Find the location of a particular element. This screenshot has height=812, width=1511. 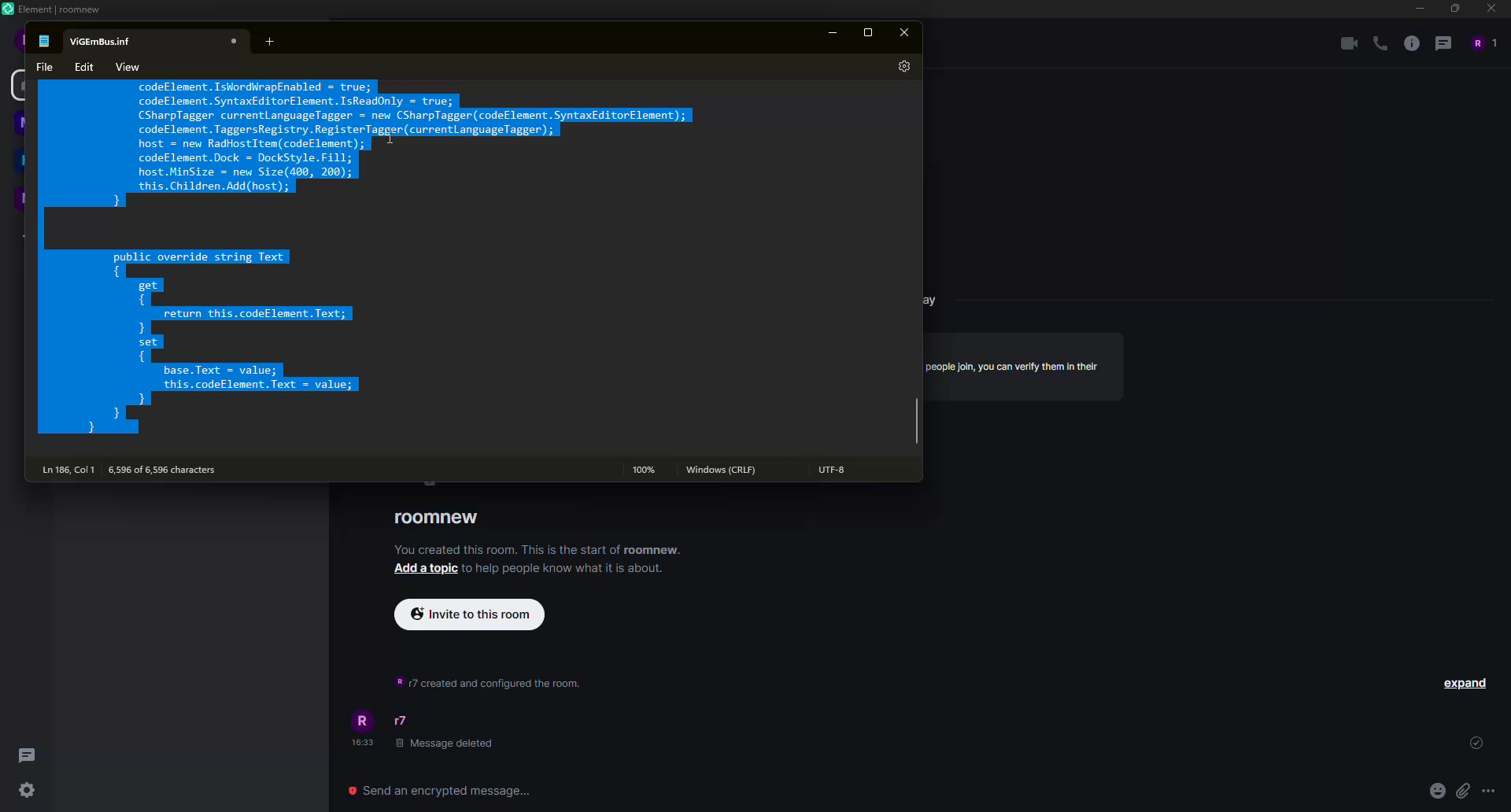

line is located at coordinates (68, 469).